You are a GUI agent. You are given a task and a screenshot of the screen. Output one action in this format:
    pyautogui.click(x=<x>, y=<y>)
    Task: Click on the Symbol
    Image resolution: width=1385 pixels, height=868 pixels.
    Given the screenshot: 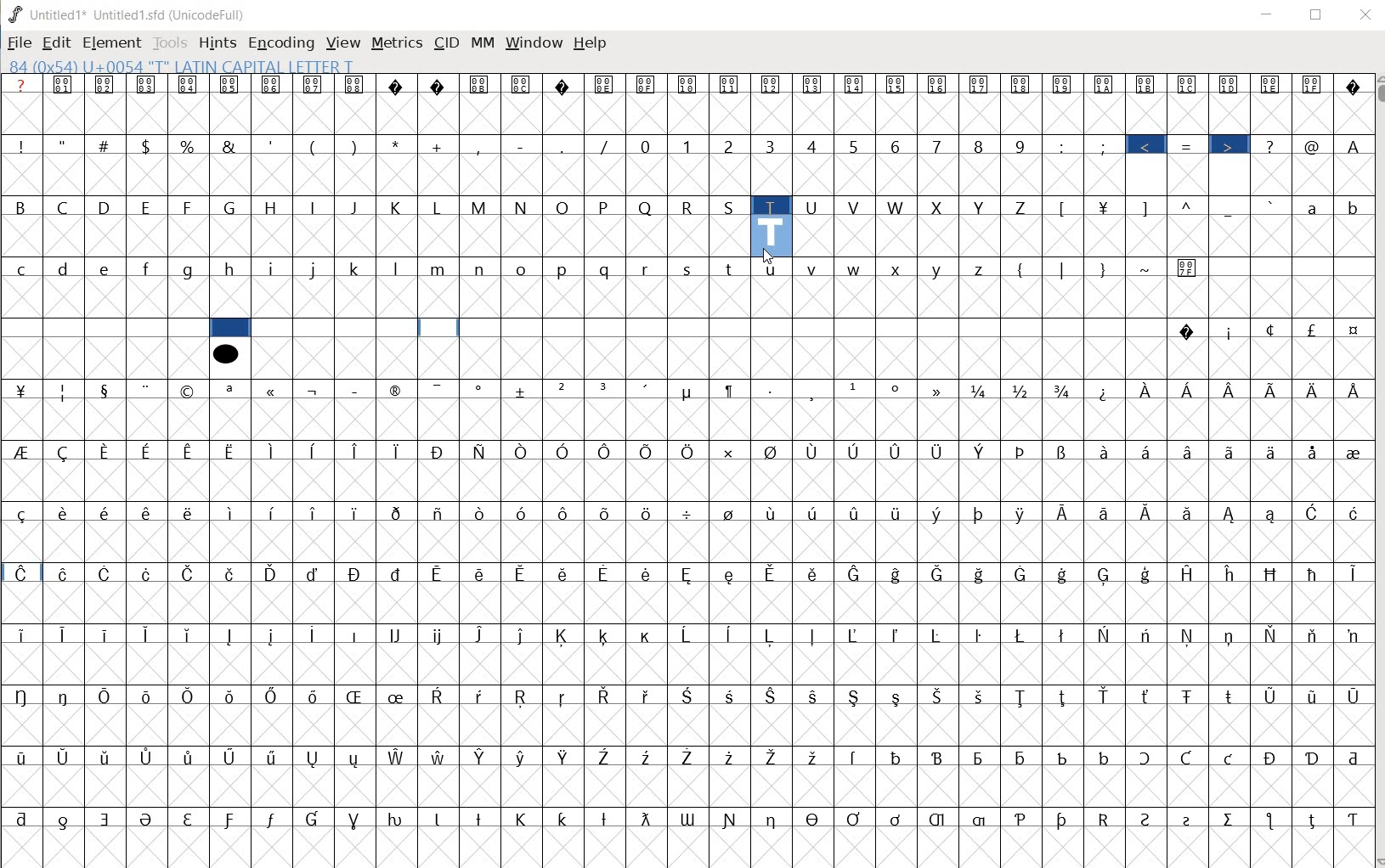 What is the action you would take?
    pyautogui.click(x=67, y=452)
    